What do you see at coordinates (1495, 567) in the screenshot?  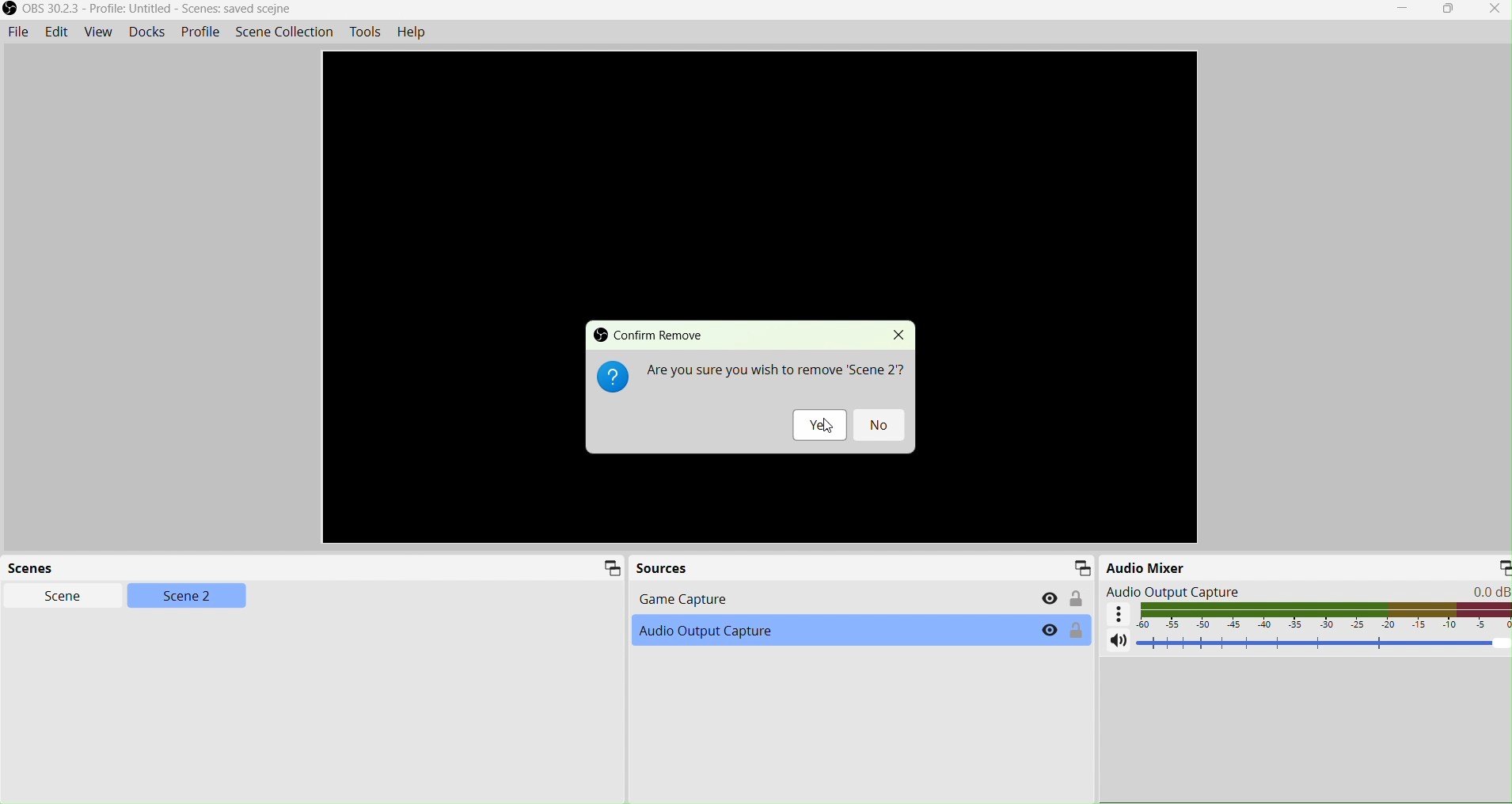 I see `Minimizer` at bounding box center [1495, 567].